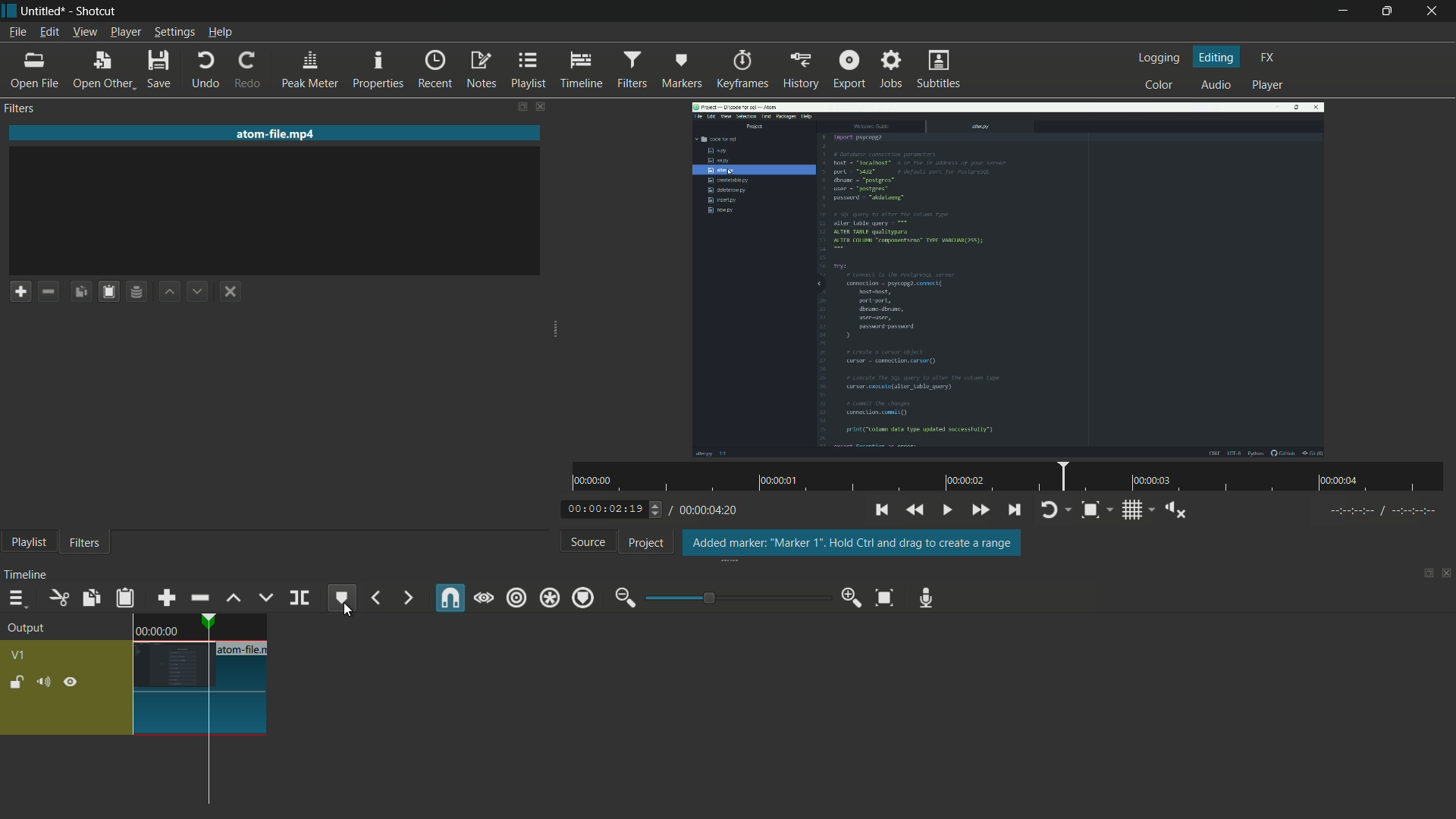  What do you see at coordinates (1219, 59) in the screenshot?
I see `editing` at bounding box center [1219, 59].